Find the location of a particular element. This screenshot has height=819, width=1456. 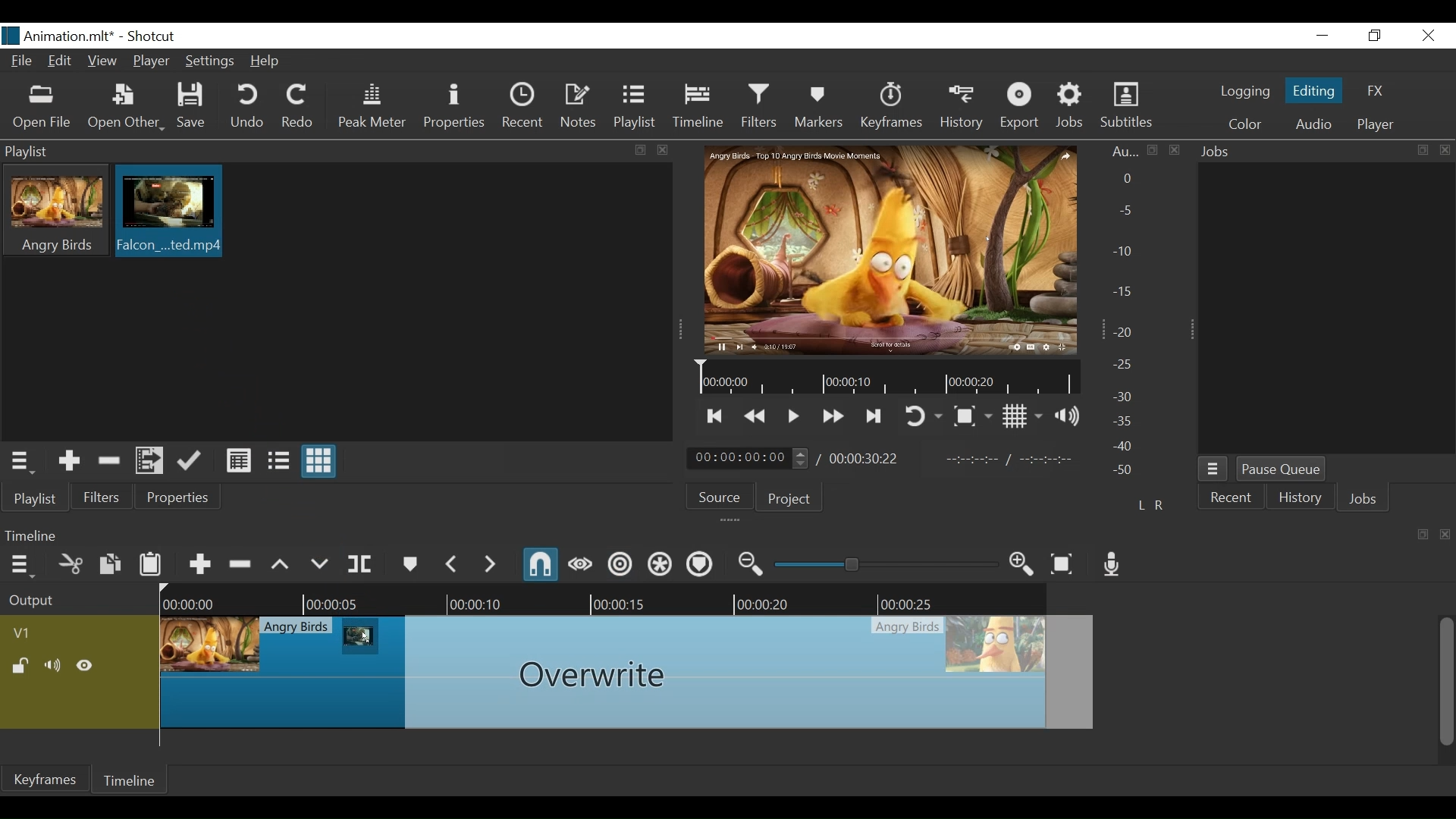

Jobs Panel is located at coordinates (1326, 152).